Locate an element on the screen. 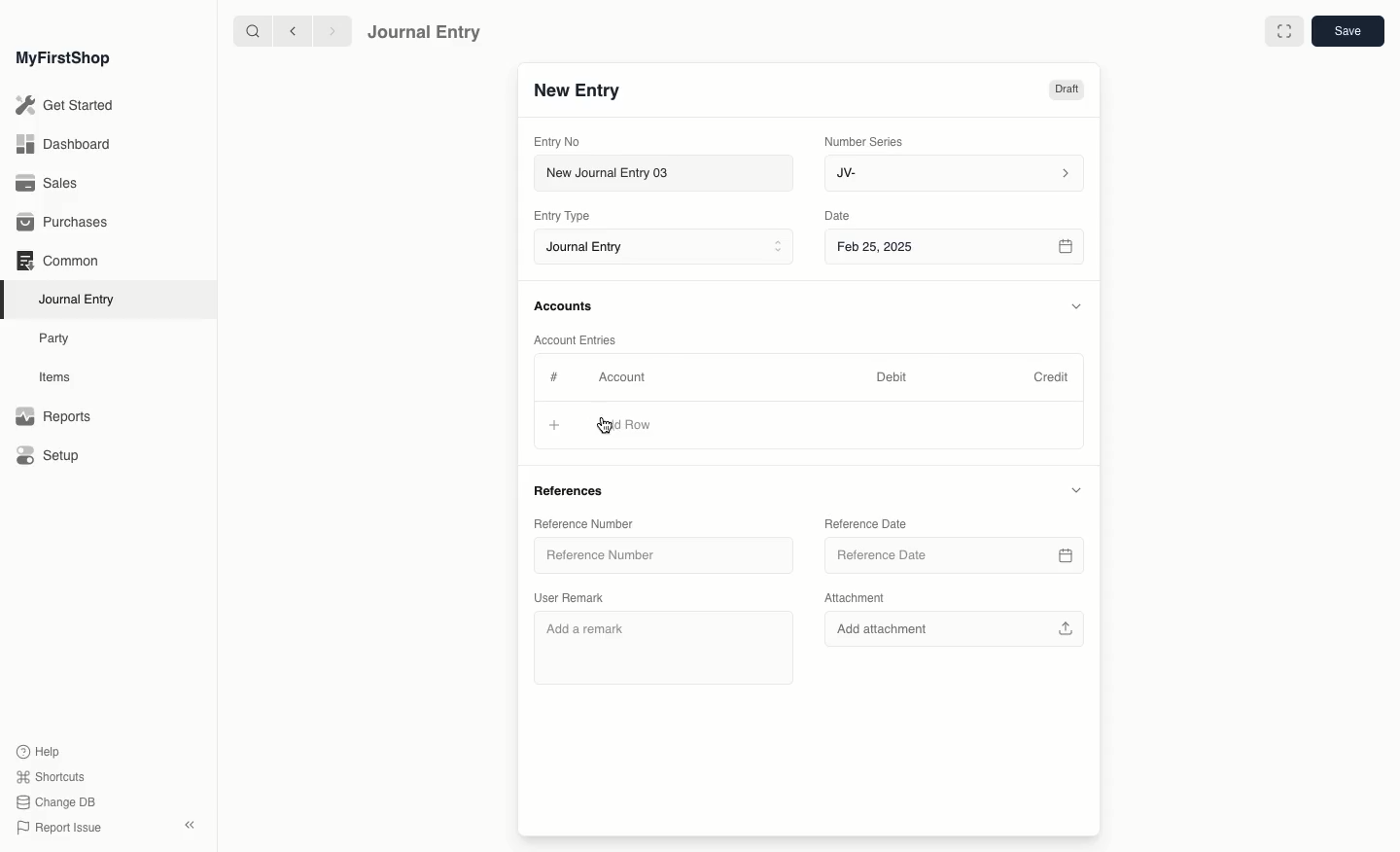 The width and height of the screenshot is (1400, 852). Full width toggle is located at coordinates (1282, 32).